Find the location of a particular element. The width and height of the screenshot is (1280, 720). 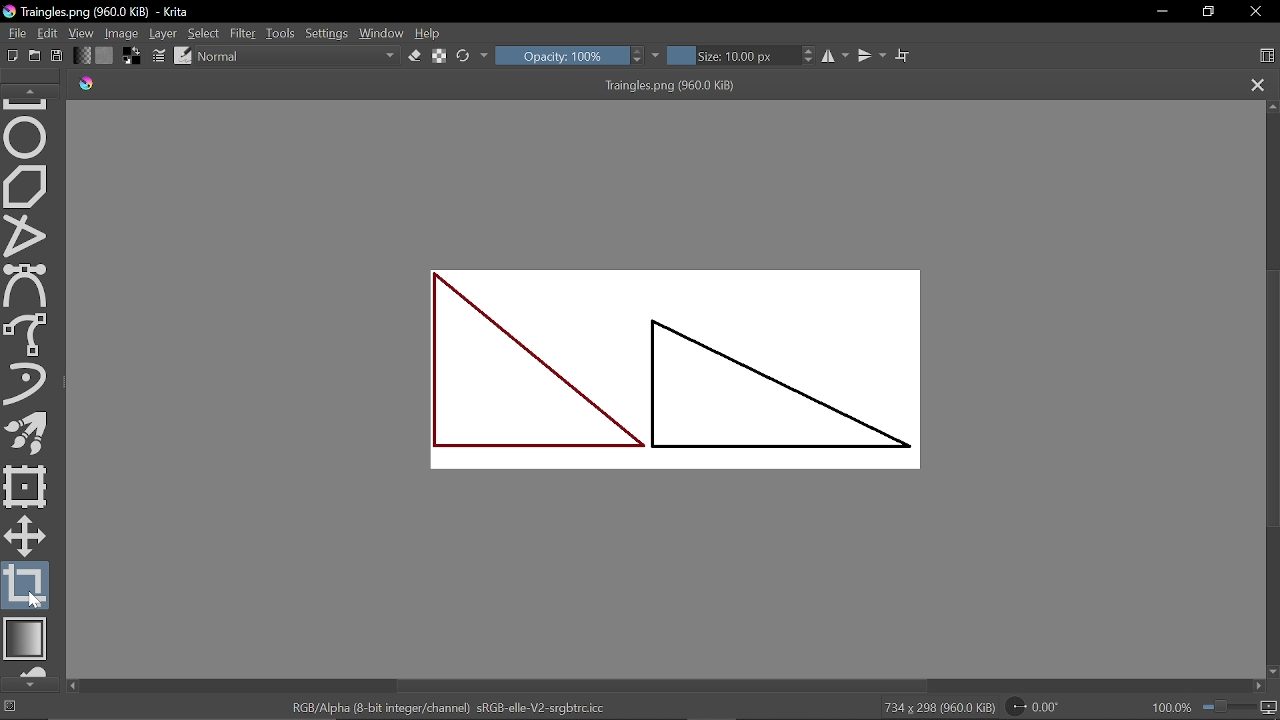

Restore down is located at coordinates (1209, 12).